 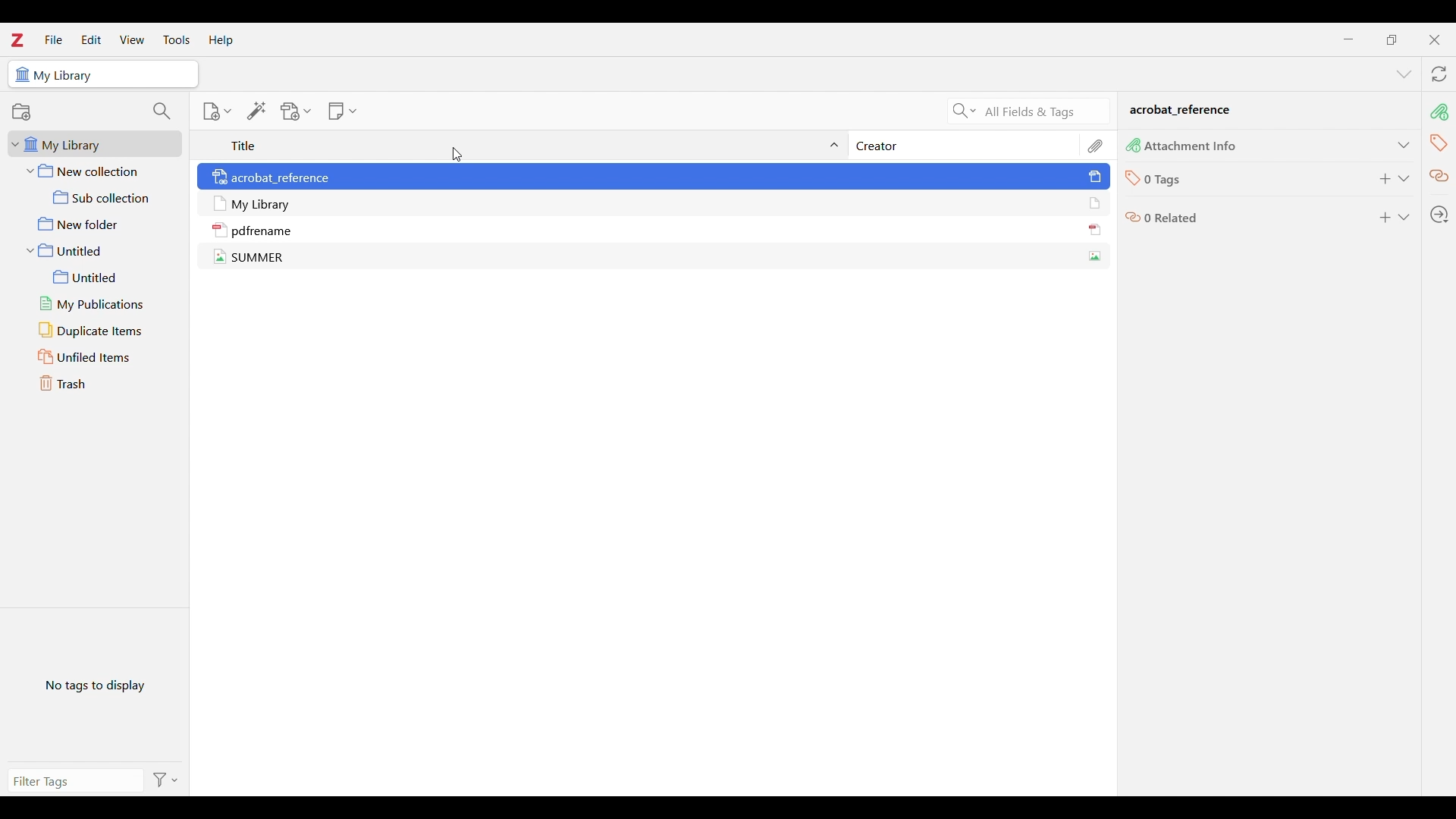 I want to click on icon, so click(x=1095, y=229).